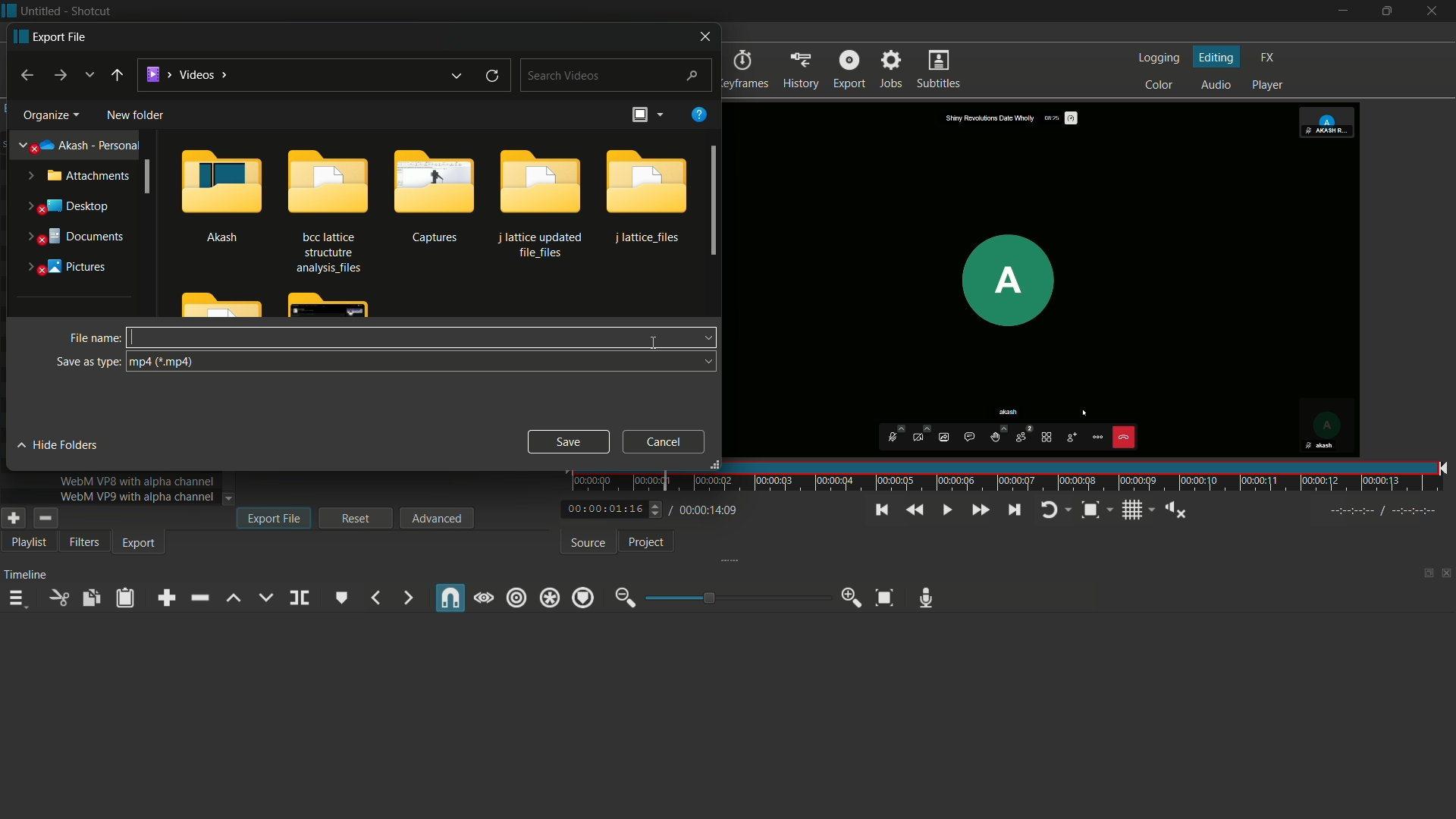 The image size is (1456, 819). What do you see at coordinates (715, 203) in the screenshot?
I see `scroll bar` at bounding box center [715, 203].